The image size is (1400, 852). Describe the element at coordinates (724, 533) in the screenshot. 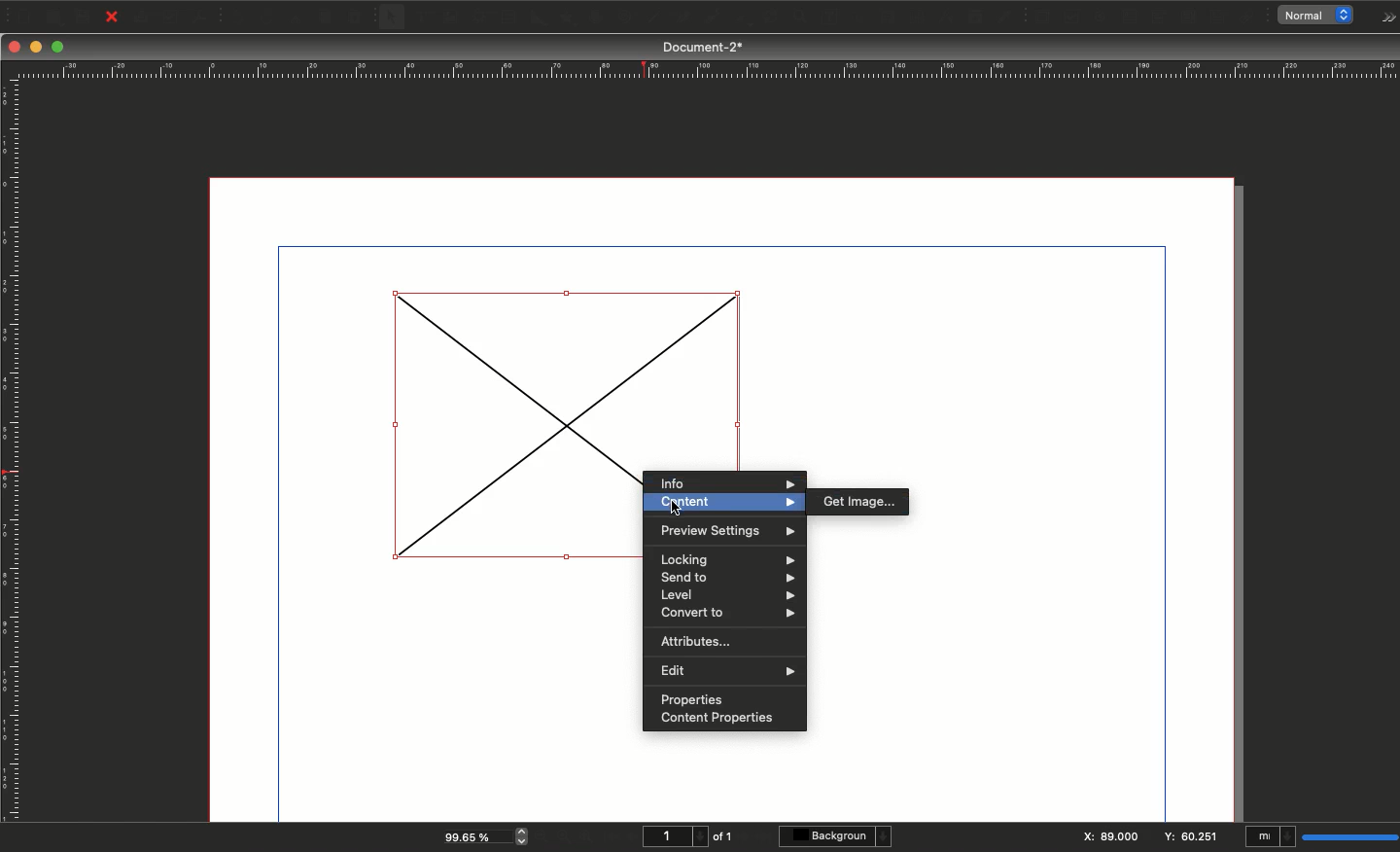

I see `Preview settings` at that location.